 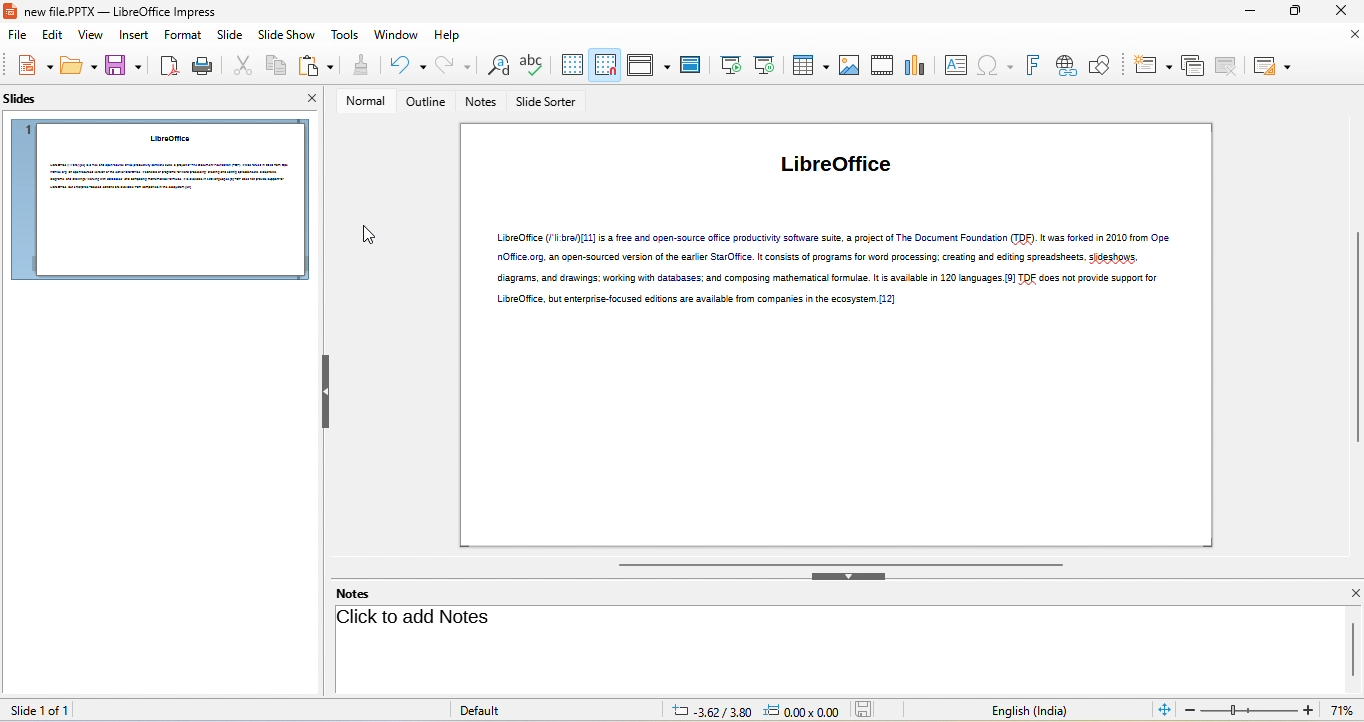 I want to click on snap to grid, so click(x=609, y=68).